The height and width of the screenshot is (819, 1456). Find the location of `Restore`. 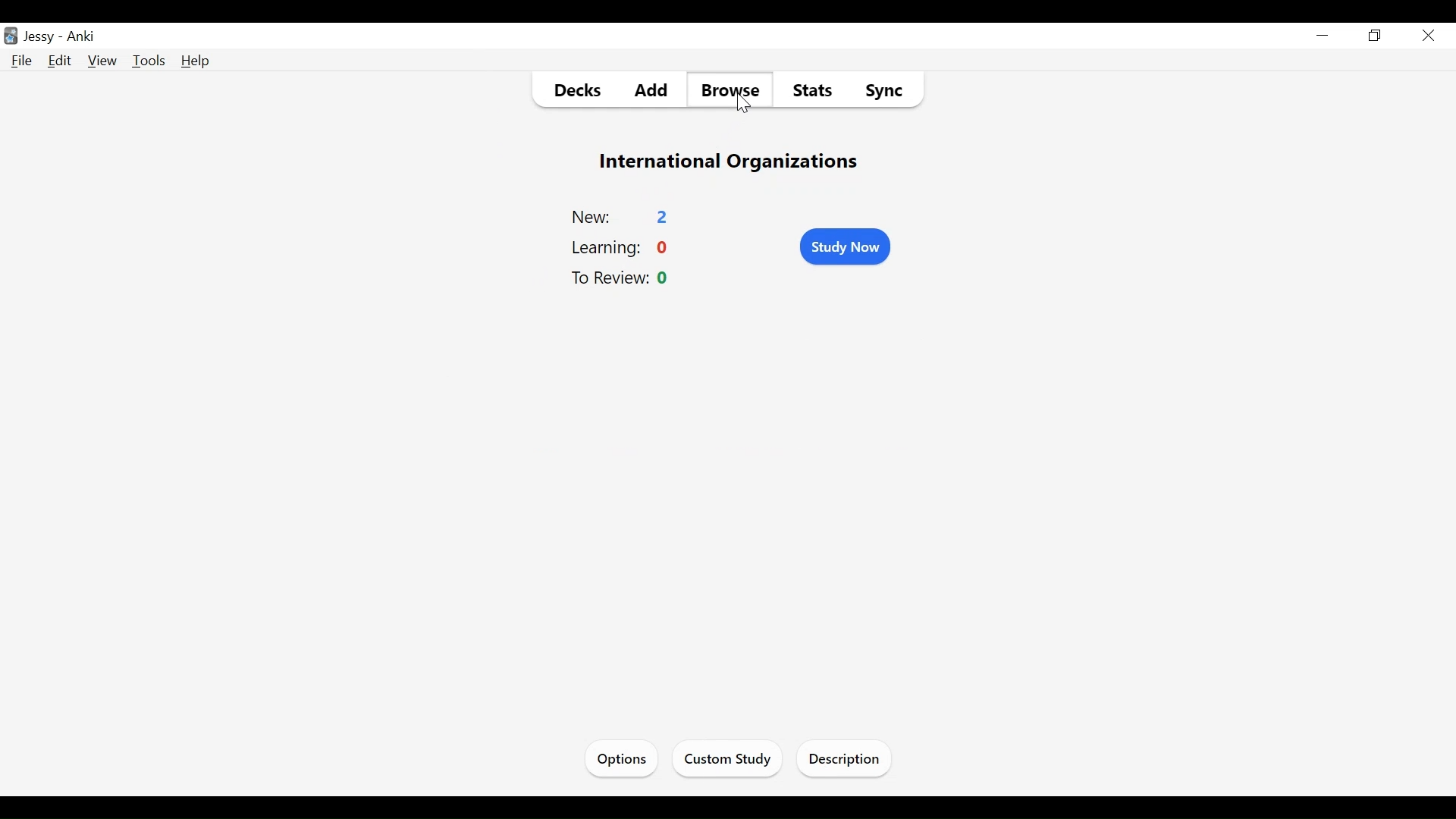

Restore is located at coordinates (1376, 36).